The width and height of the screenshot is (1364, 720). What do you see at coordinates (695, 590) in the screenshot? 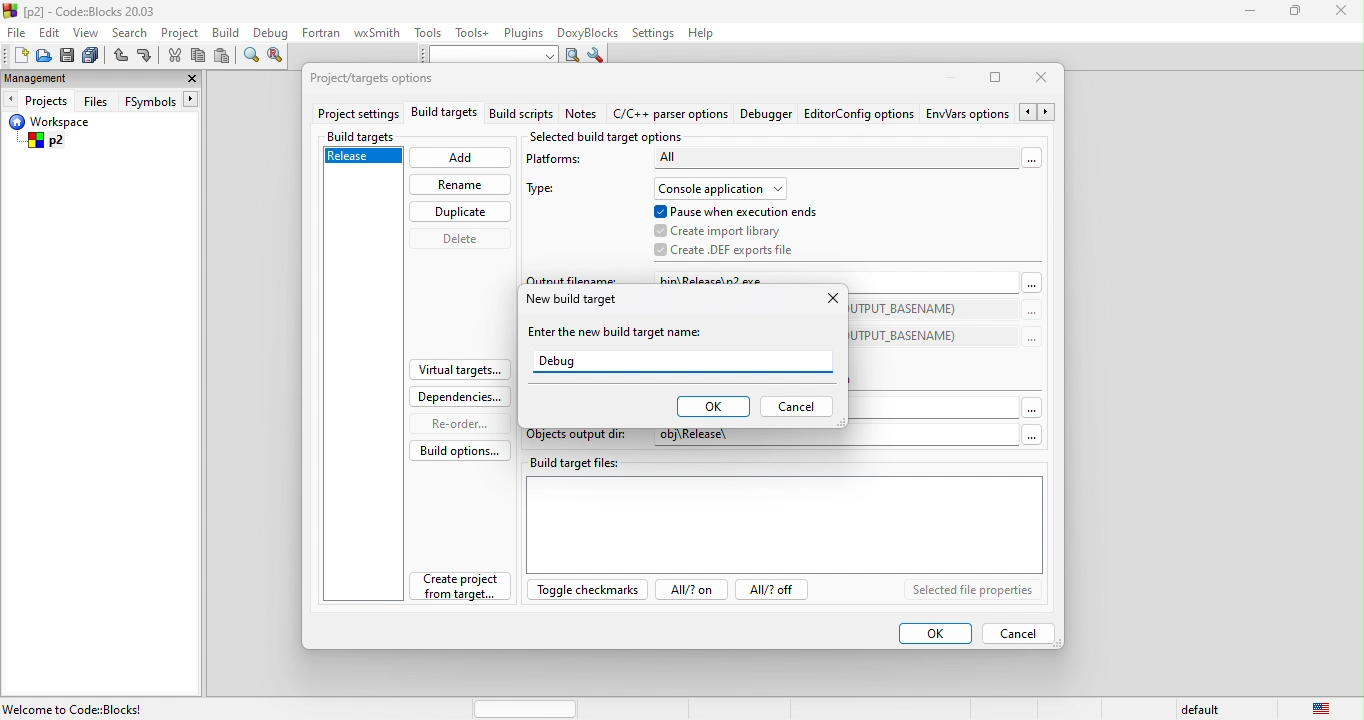
I see `all? on` at bounding box center [695, 590].